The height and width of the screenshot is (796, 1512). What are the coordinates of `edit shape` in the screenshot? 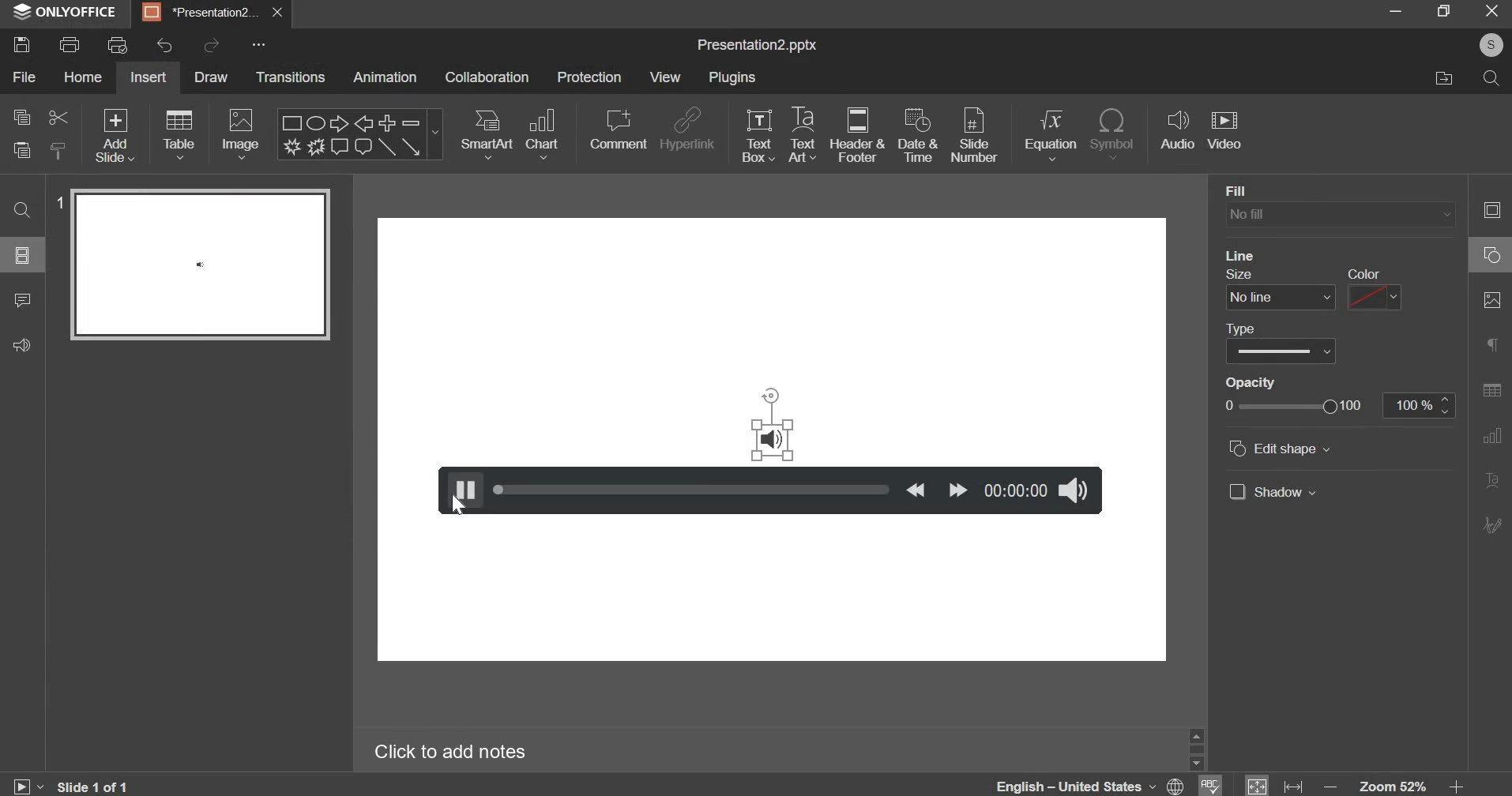 It's located at (1280, 448).